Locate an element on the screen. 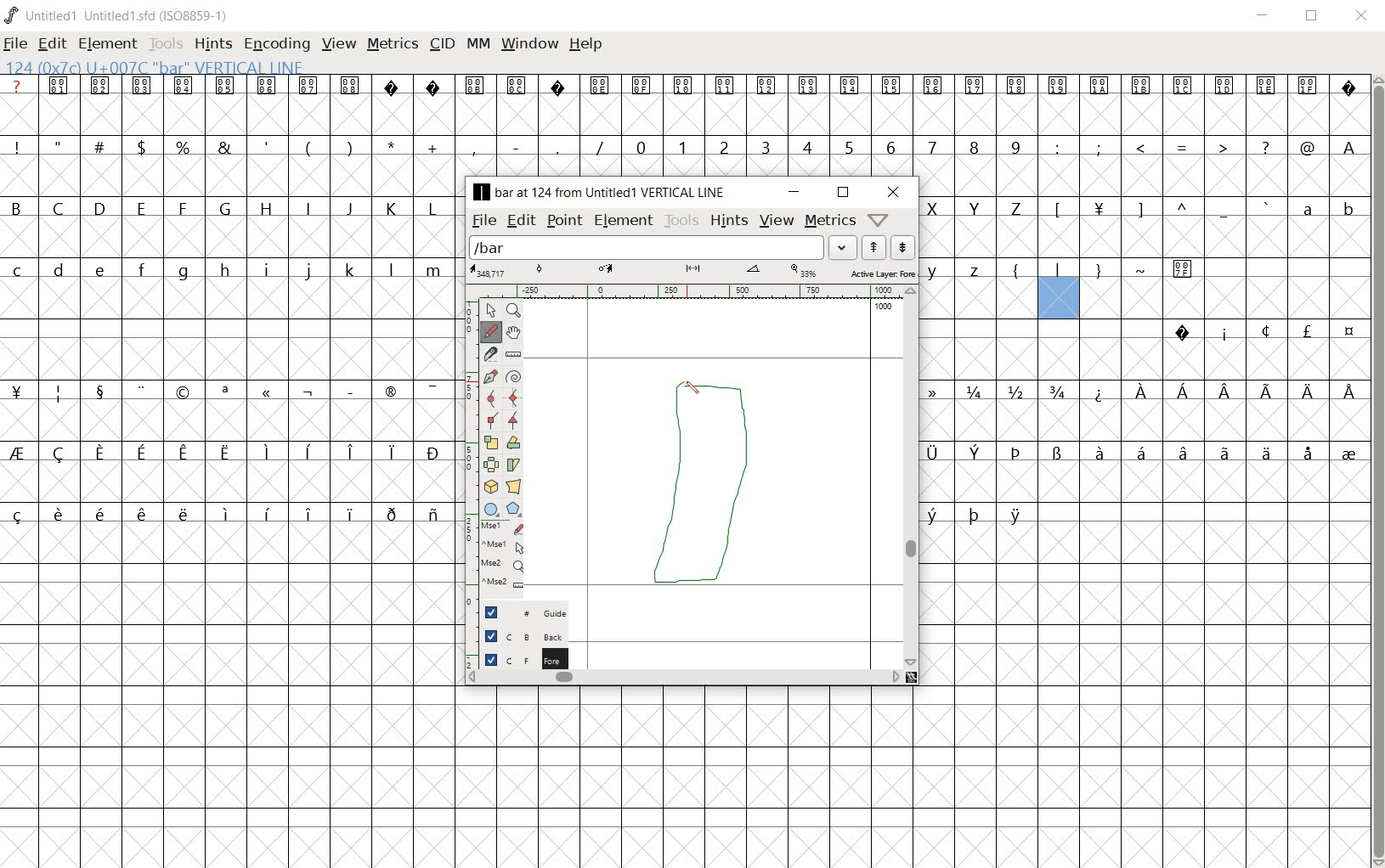 The width and height of the screenshot is (1385, 868). foreground is located at coordinates (517, 657).